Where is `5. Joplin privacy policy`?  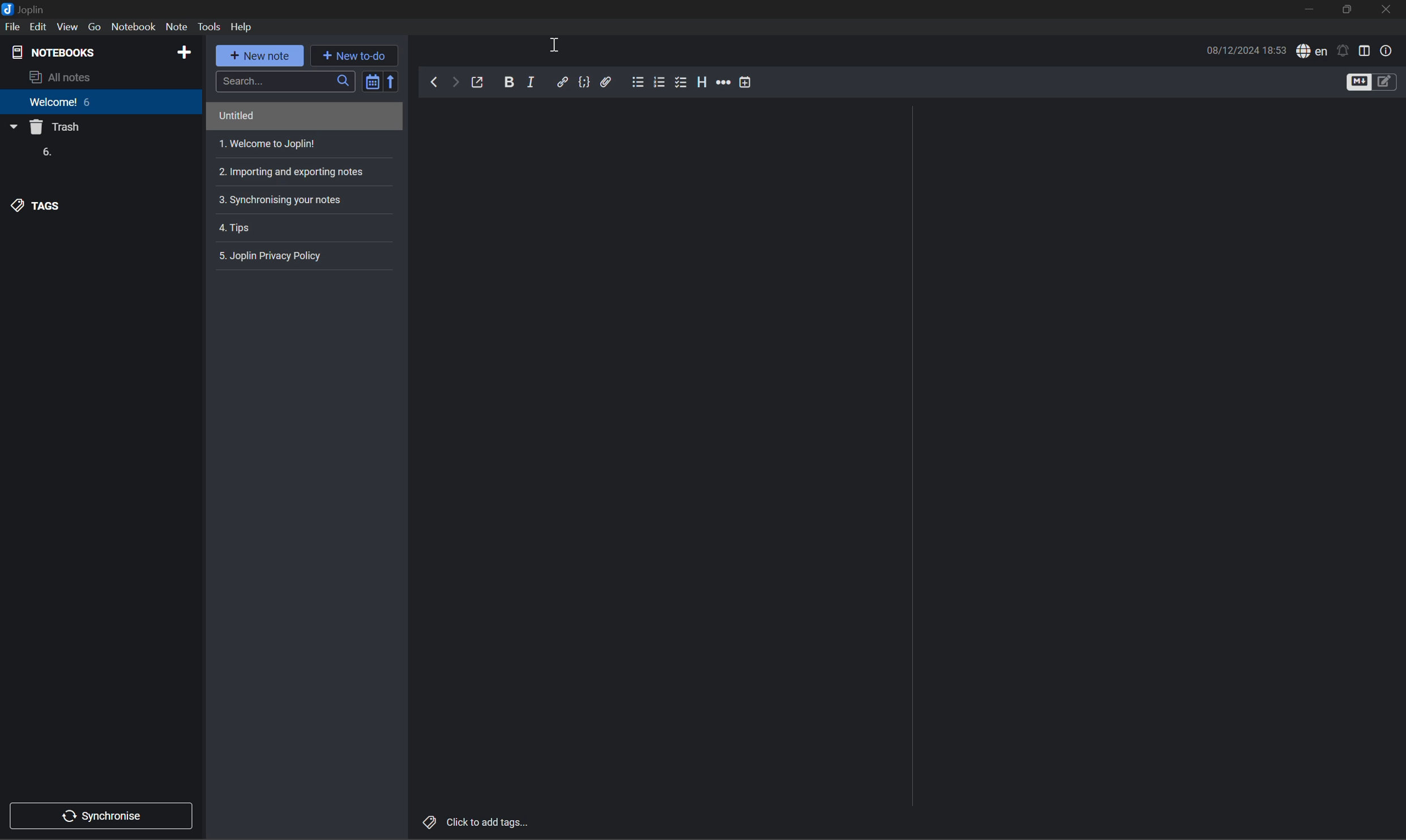
5. Joplin privacy policy is located at coordinates (274, 255).